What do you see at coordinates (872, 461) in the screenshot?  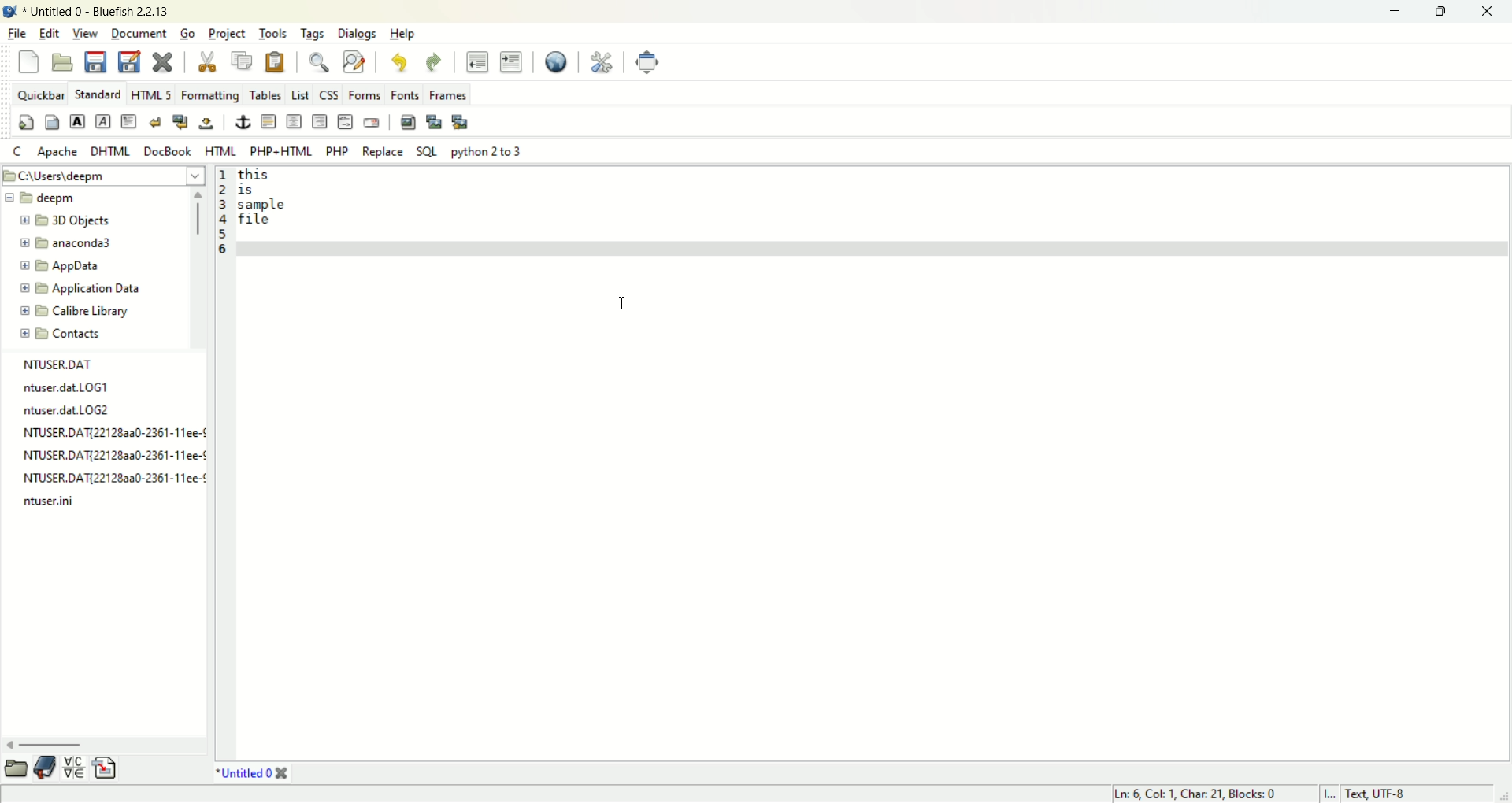 I see `workspace` at bounding box center [872, 461].